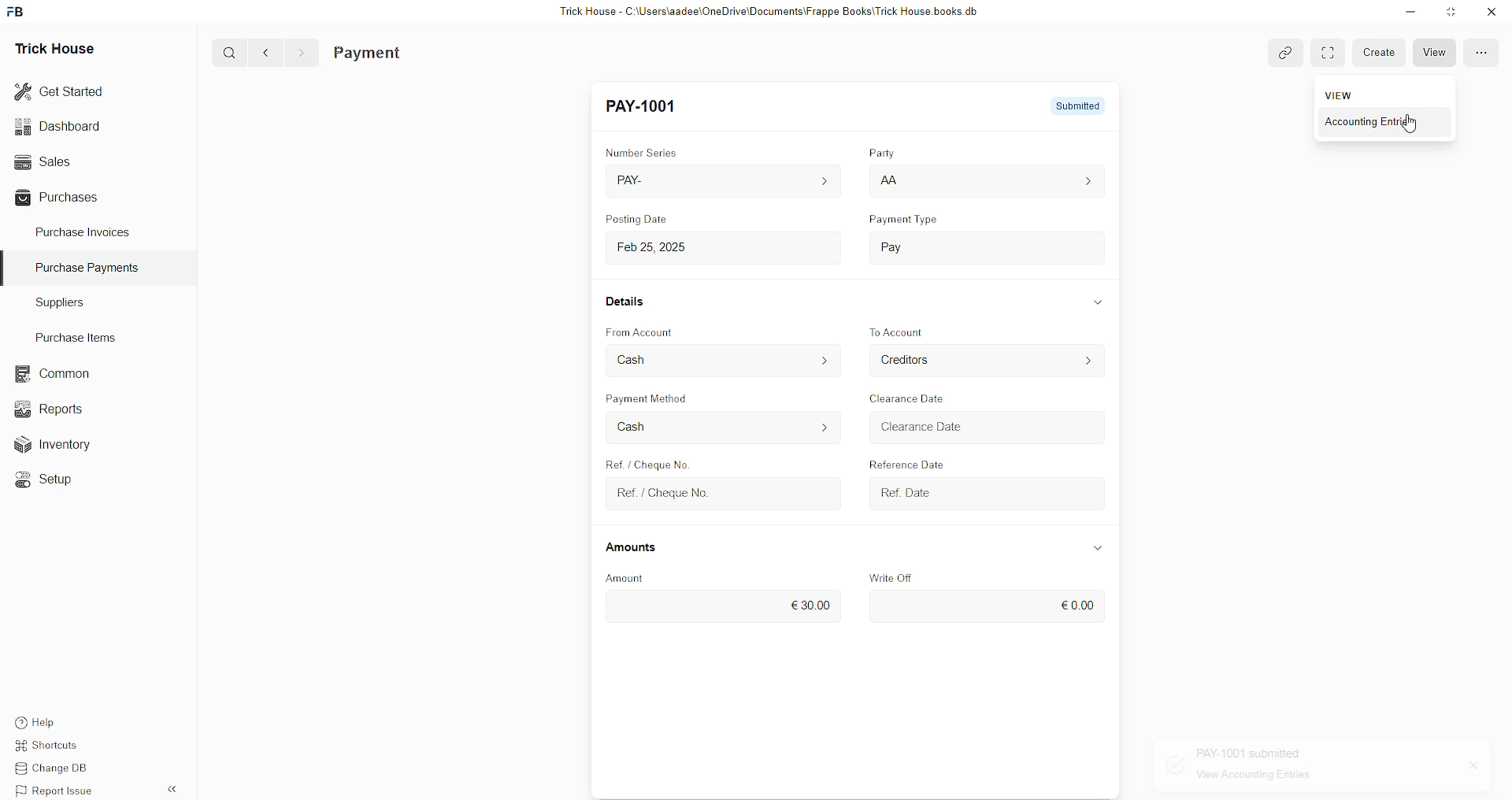  What do you see at coordinates (1468, 766) in the screenshot?
I see `close` at bounding box center [1468, 766].